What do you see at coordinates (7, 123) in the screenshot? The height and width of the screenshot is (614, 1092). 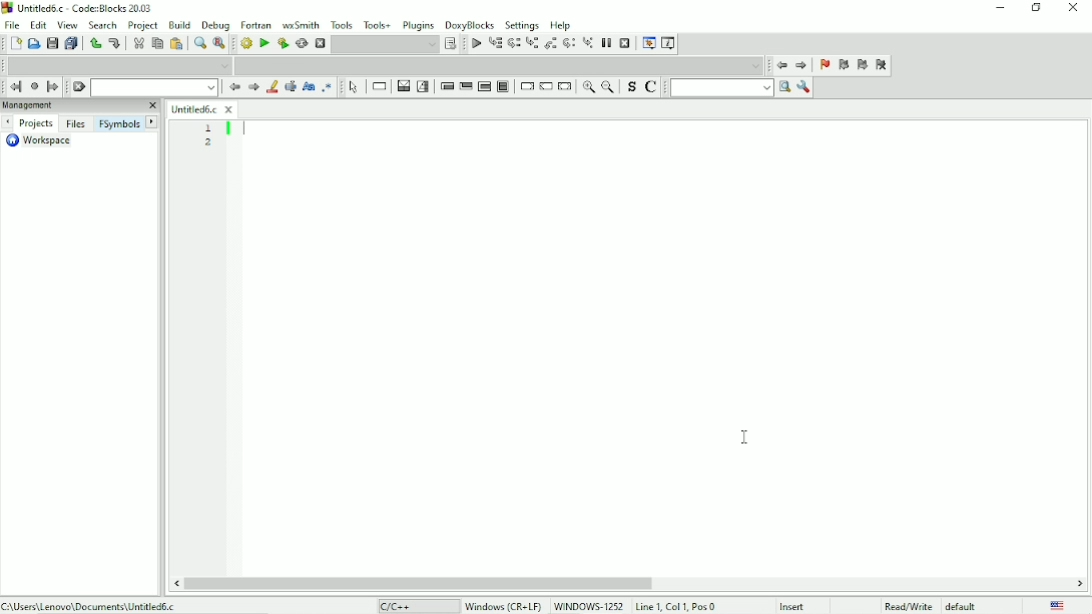 I see `Prev` at bounding box center [7, 123].